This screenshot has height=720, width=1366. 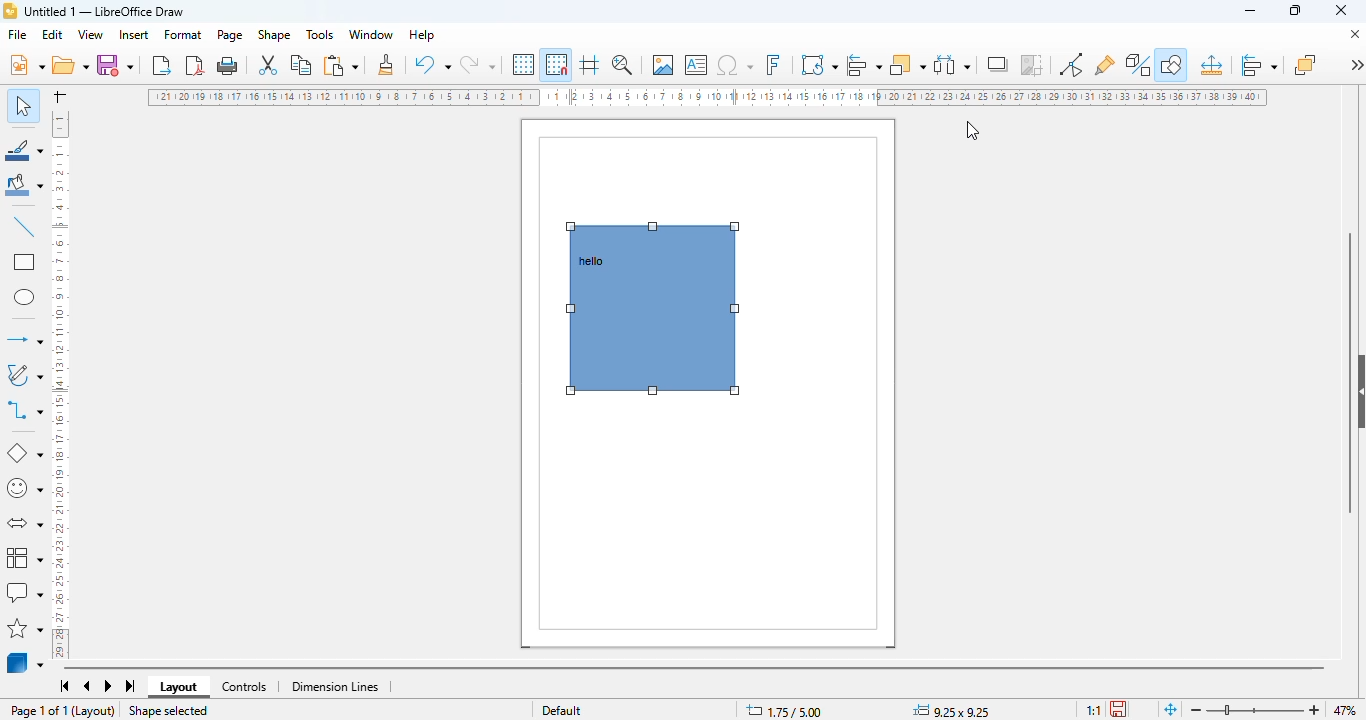 What do you see at coordinates (1357, 392) in the screenshot?
I see `show` at bounding box center [1357, 392].